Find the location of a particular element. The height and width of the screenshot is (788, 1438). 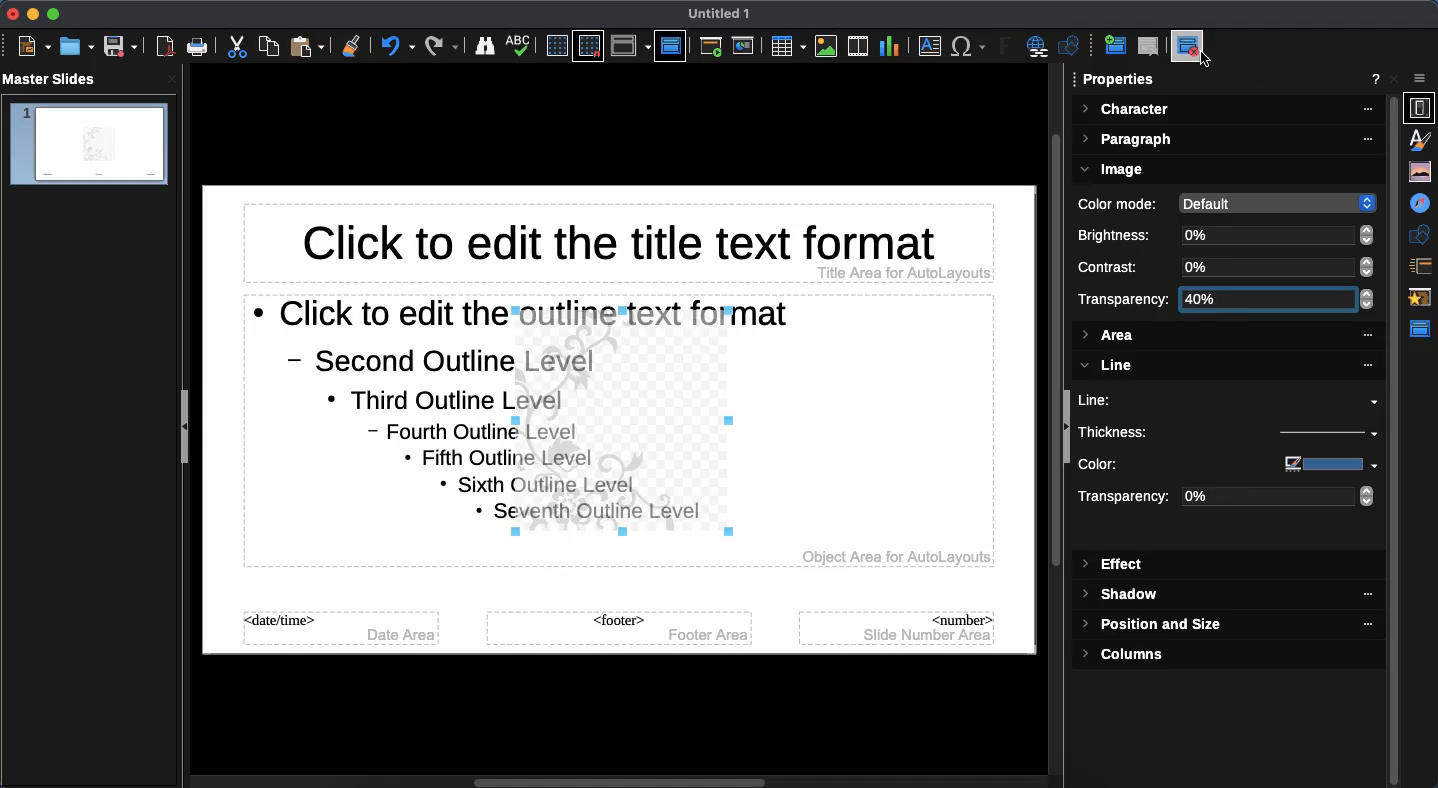

Transparency is located at coordinates (1127, 499).